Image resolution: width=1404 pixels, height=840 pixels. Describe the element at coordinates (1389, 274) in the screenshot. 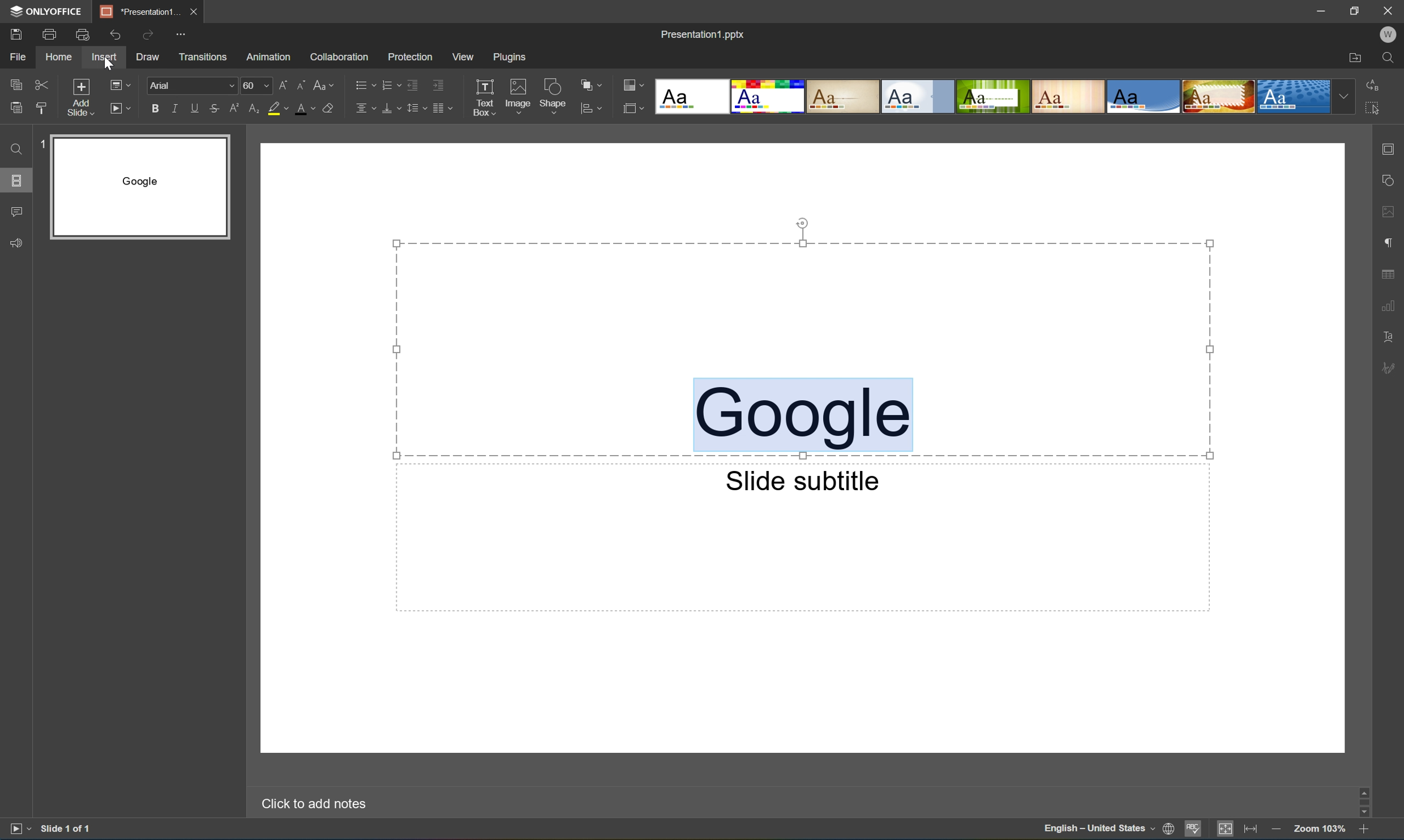

I see `Table settings` at that location.